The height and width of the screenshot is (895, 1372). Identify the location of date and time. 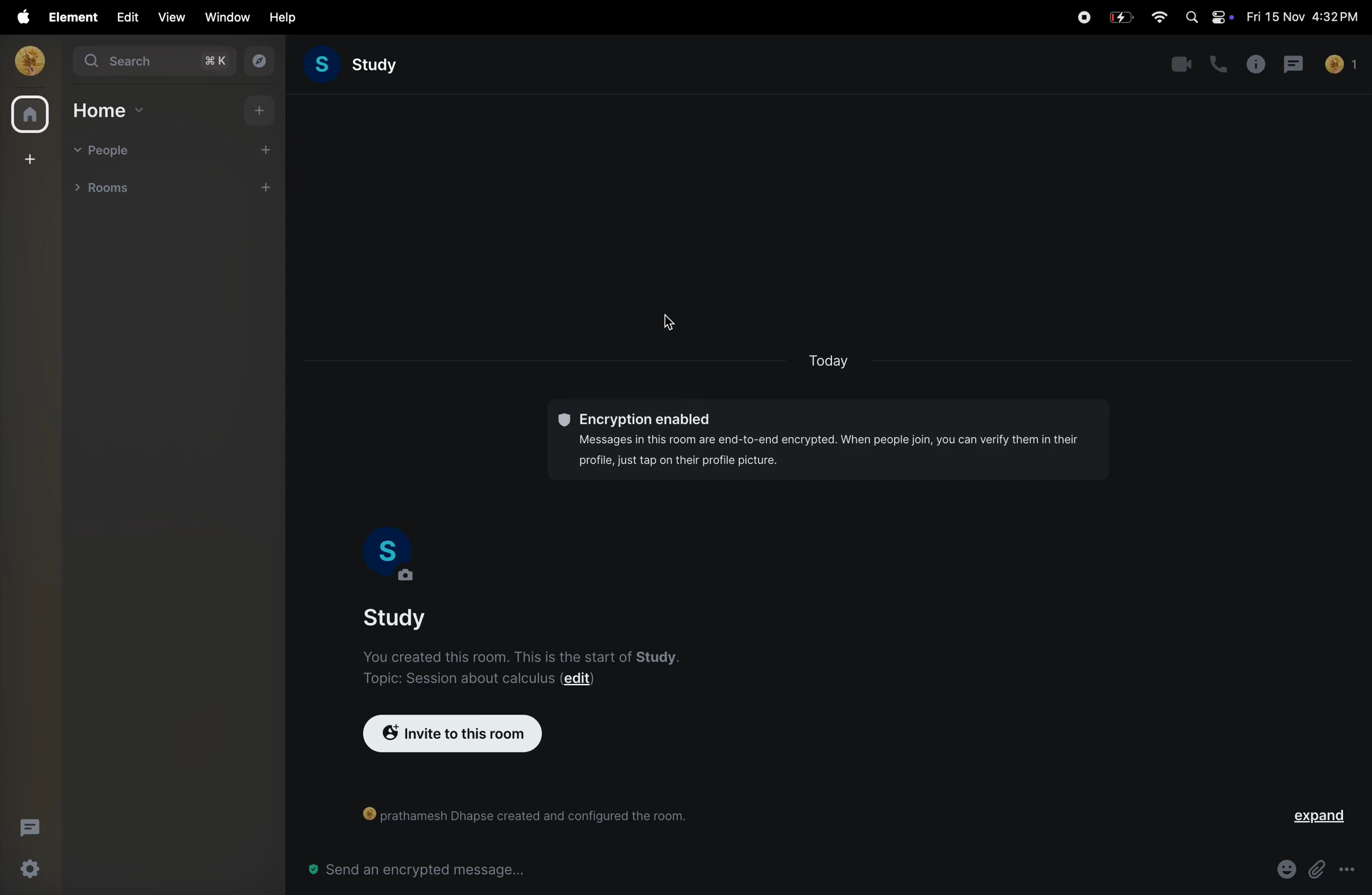
(1302, 17).